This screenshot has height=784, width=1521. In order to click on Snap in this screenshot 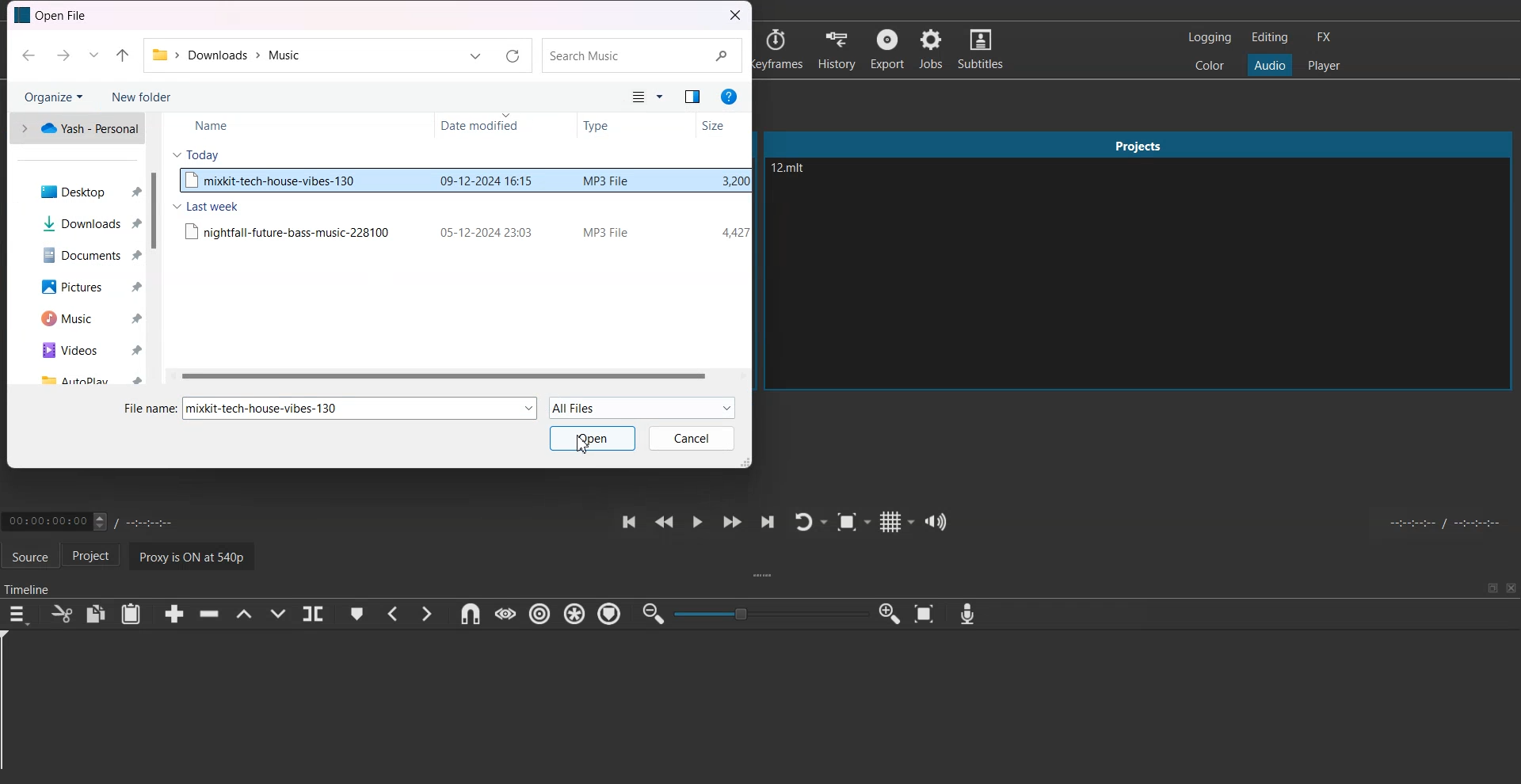, I will do `click(467, 614)`.